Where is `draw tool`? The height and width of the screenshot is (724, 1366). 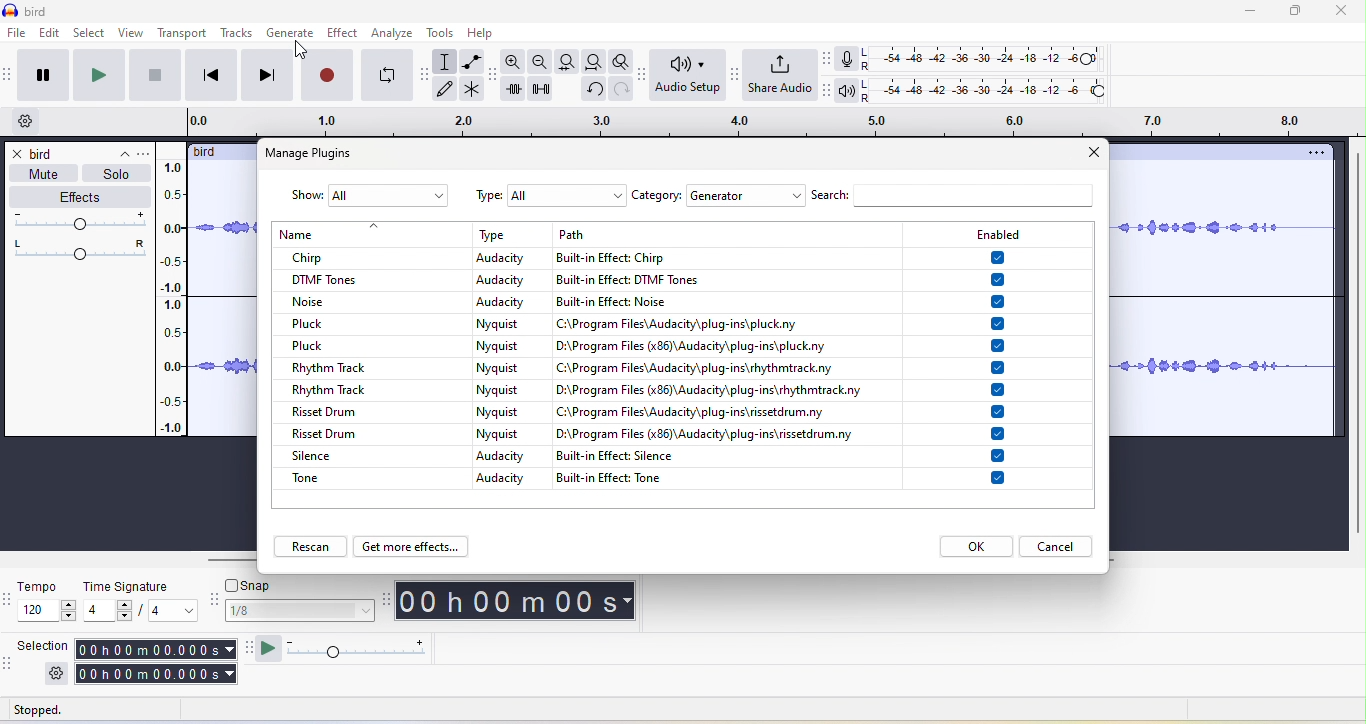
draw tool is located at coordinates (451, 88).